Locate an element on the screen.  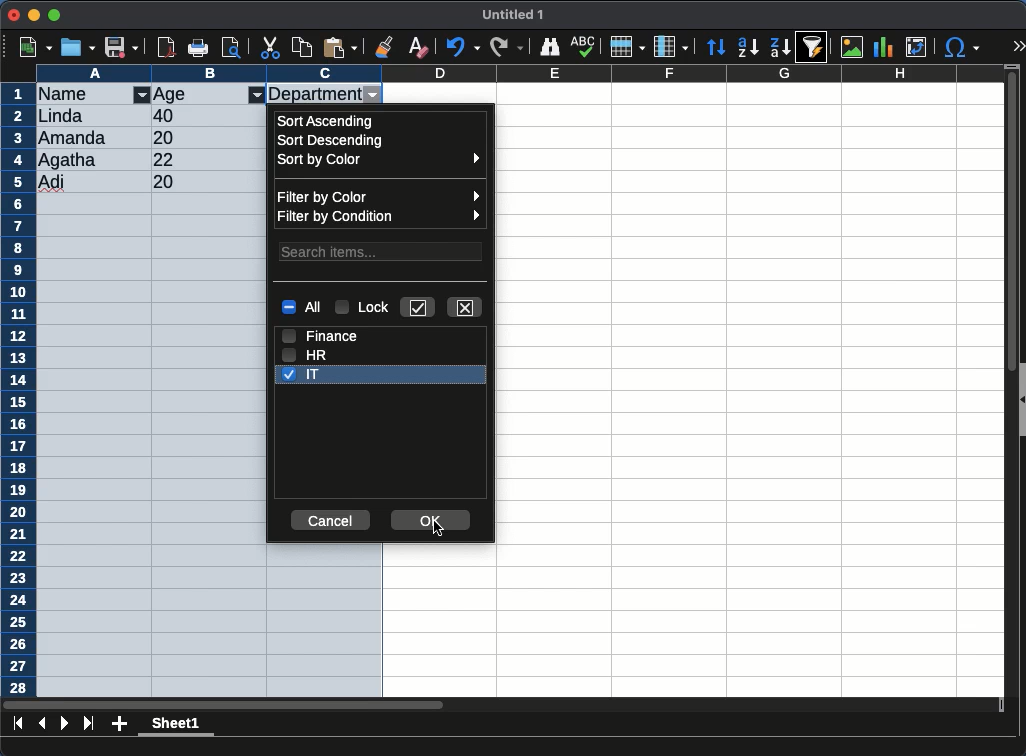
20 is located at coordinates (177, 182).